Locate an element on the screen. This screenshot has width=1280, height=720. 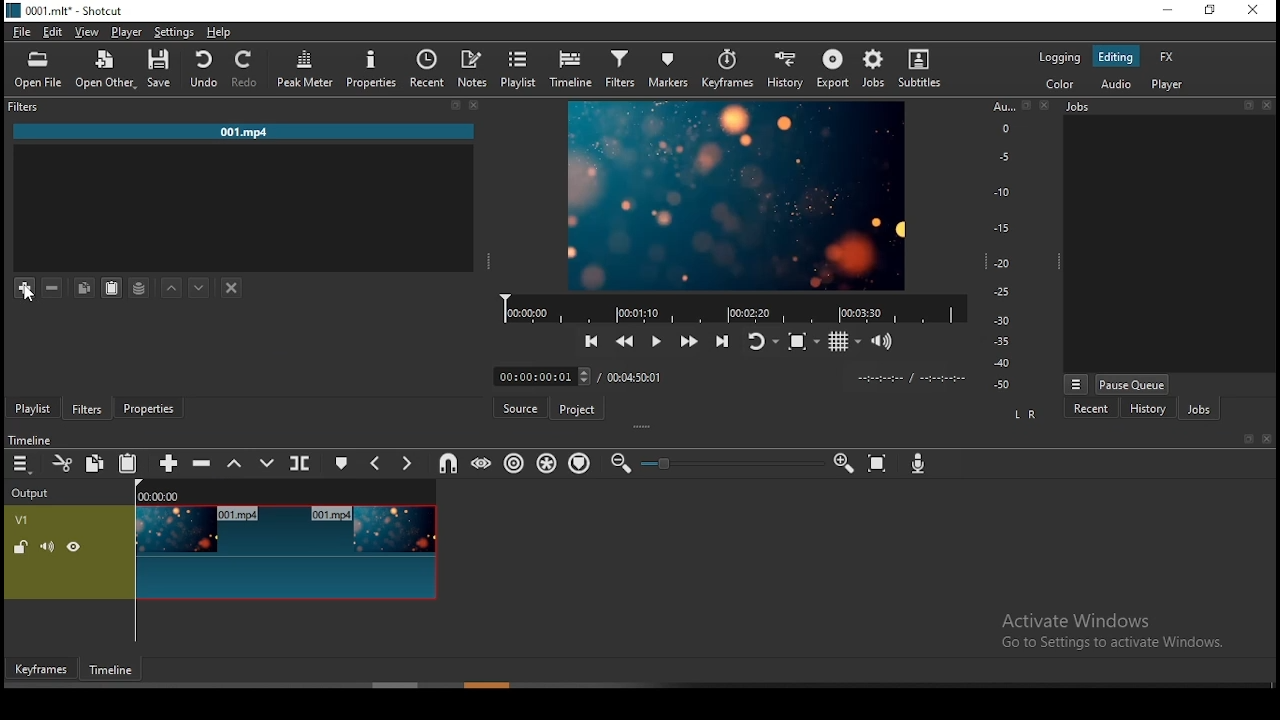
save is located at coordinates (165, 72).